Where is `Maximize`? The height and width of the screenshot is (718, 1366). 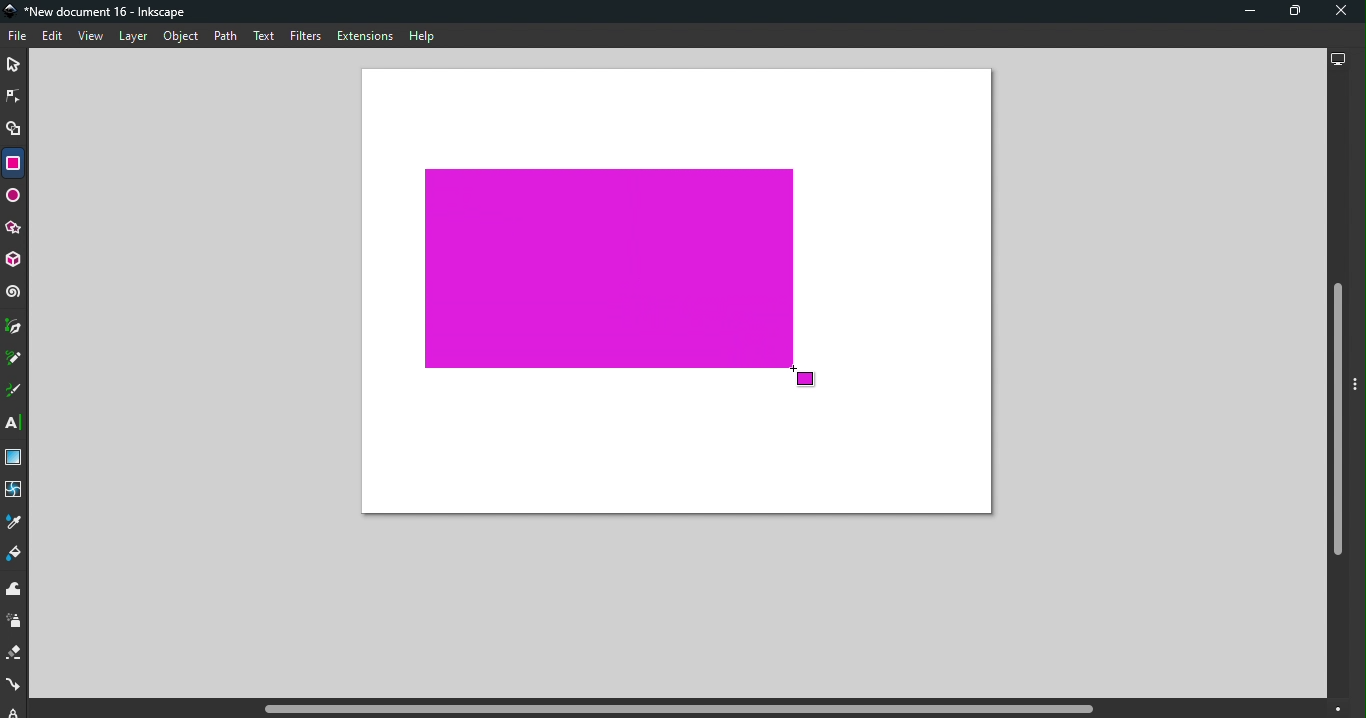 Maximize is located at coordinates (1288, 14).